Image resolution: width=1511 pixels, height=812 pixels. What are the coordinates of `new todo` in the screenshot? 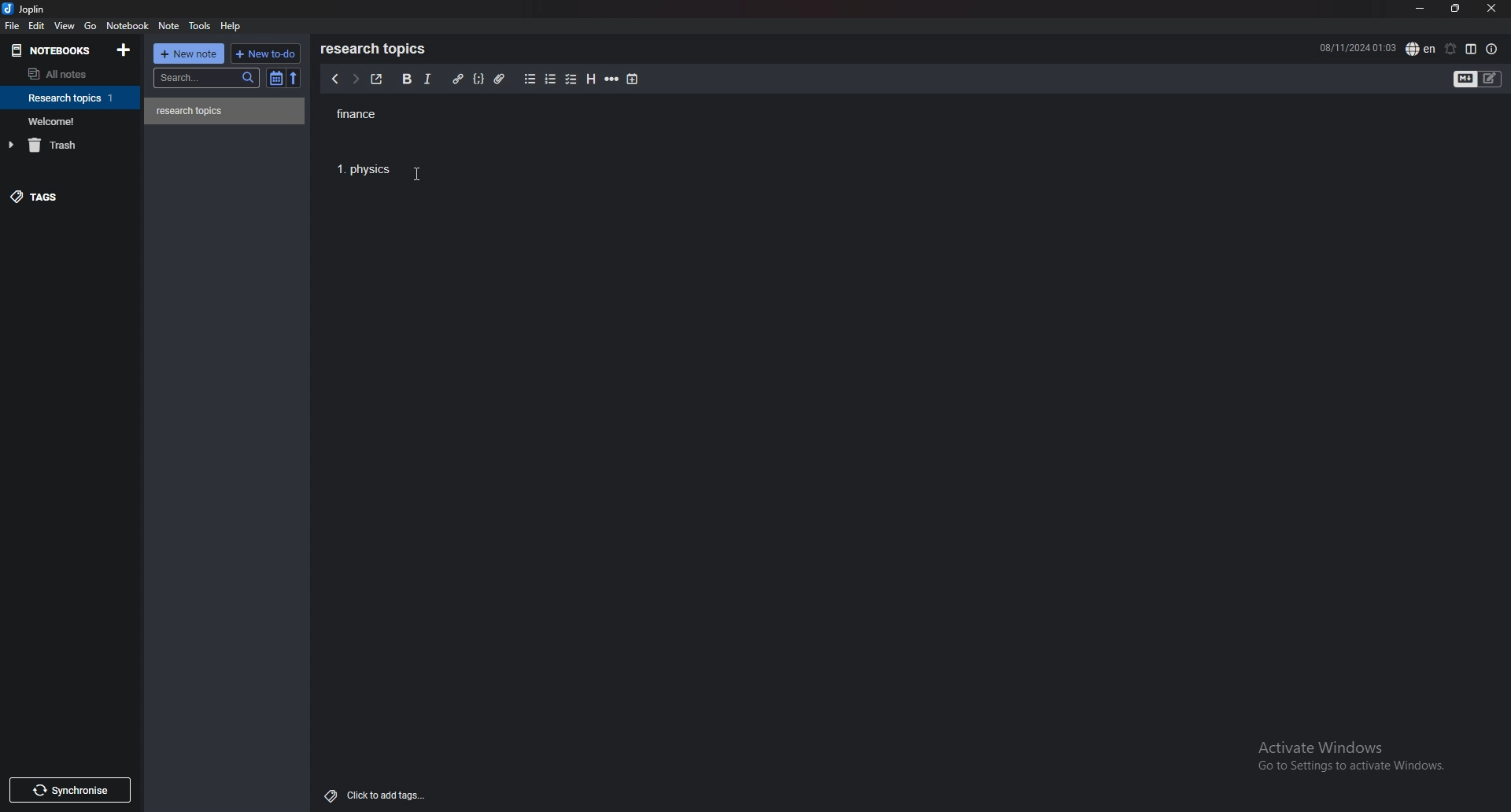 It's located at (265, 53).